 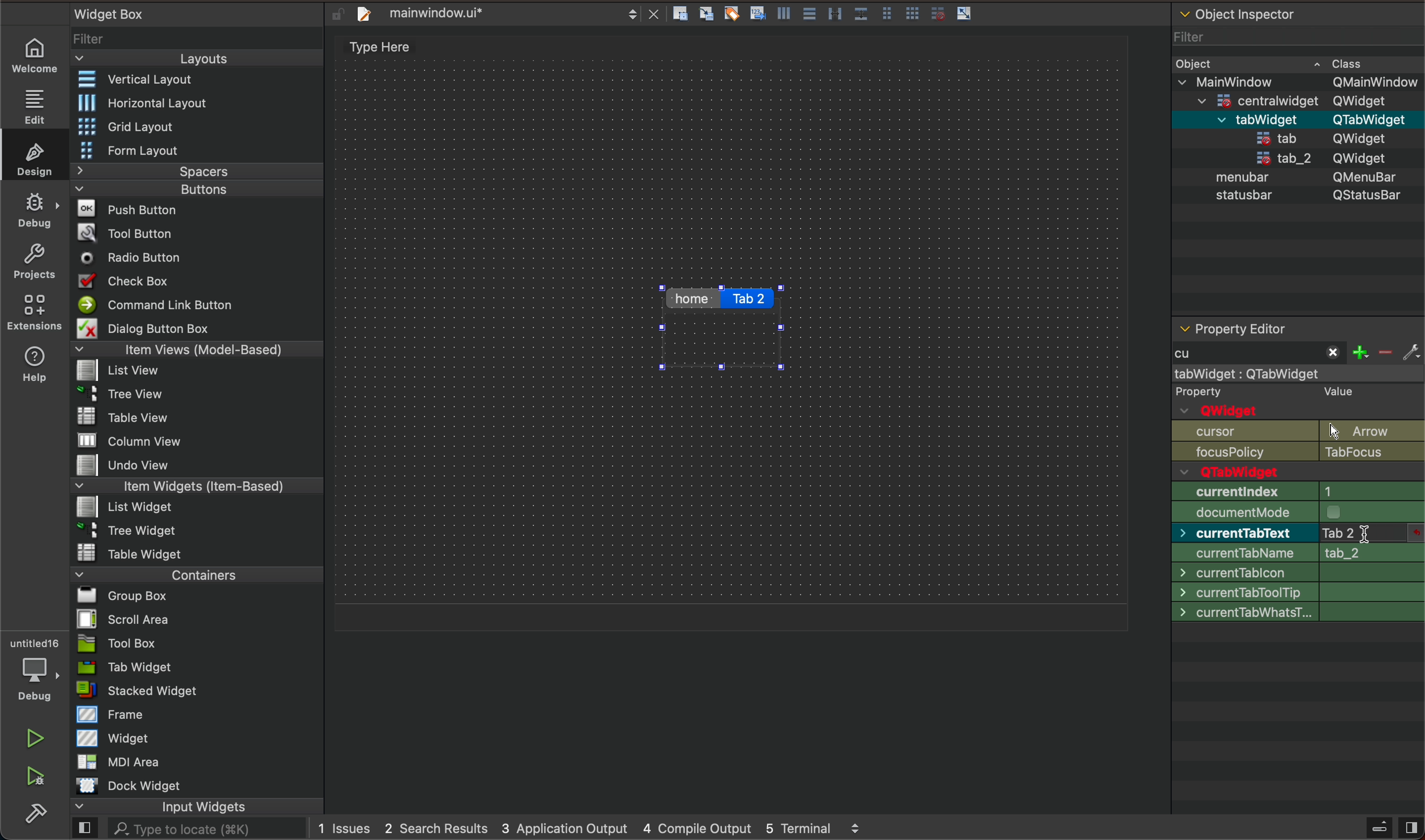 What do you see at coordinates (1367, 534) in the screenshot?
I see `after type` at bounding box center [1367, 534].